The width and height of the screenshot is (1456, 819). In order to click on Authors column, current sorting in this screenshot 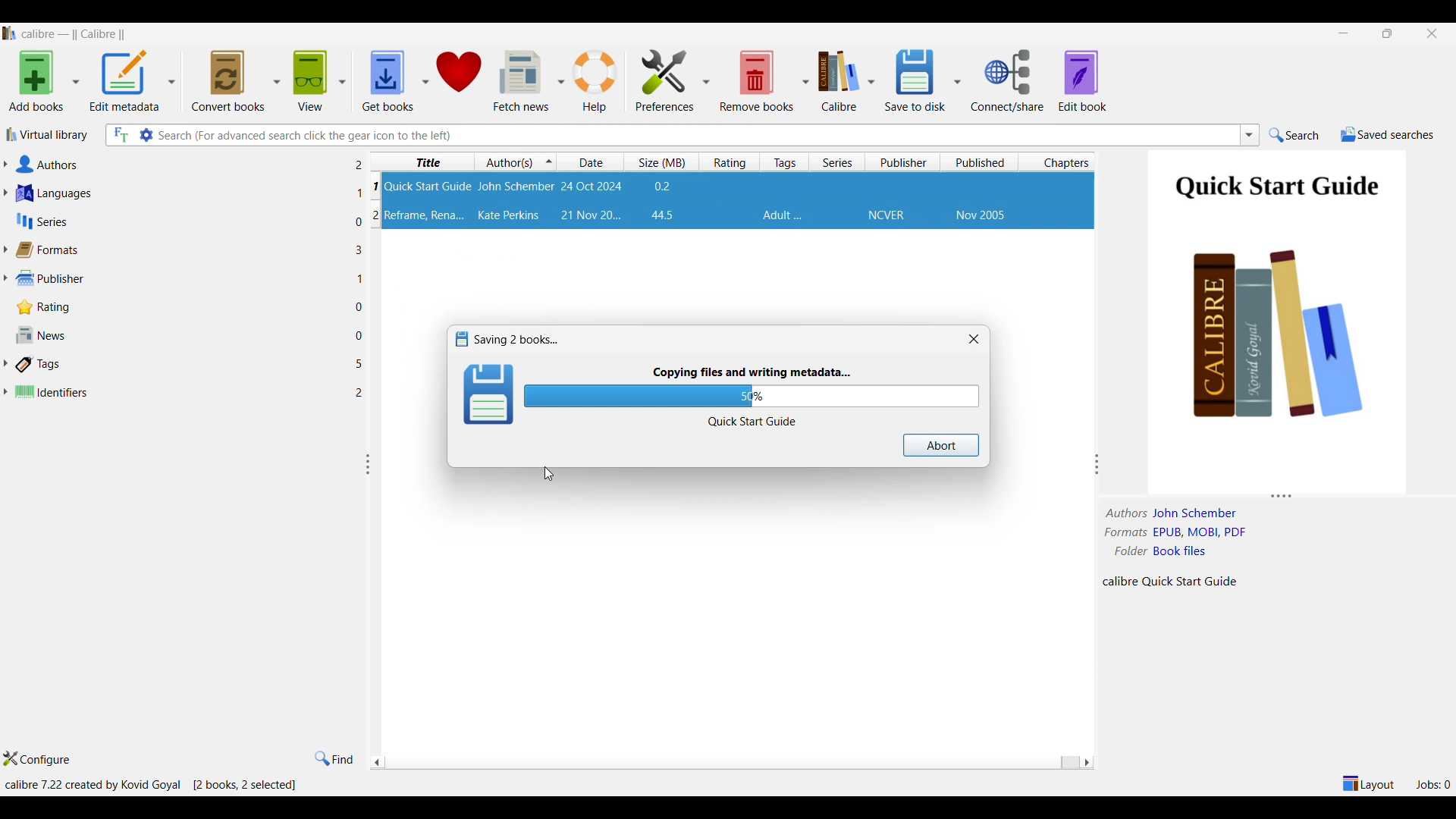, I will do `click(518, 162)`.